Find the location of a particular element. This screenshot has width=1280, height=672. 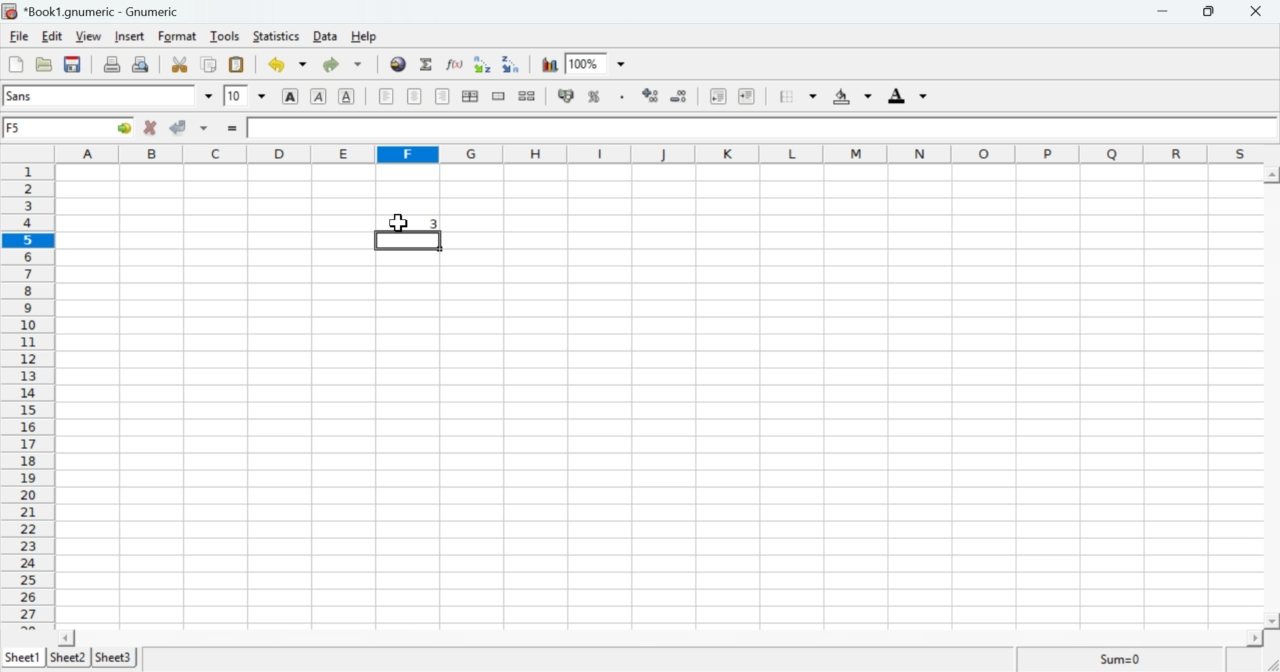

cursor is located at coordinates (394, 223).